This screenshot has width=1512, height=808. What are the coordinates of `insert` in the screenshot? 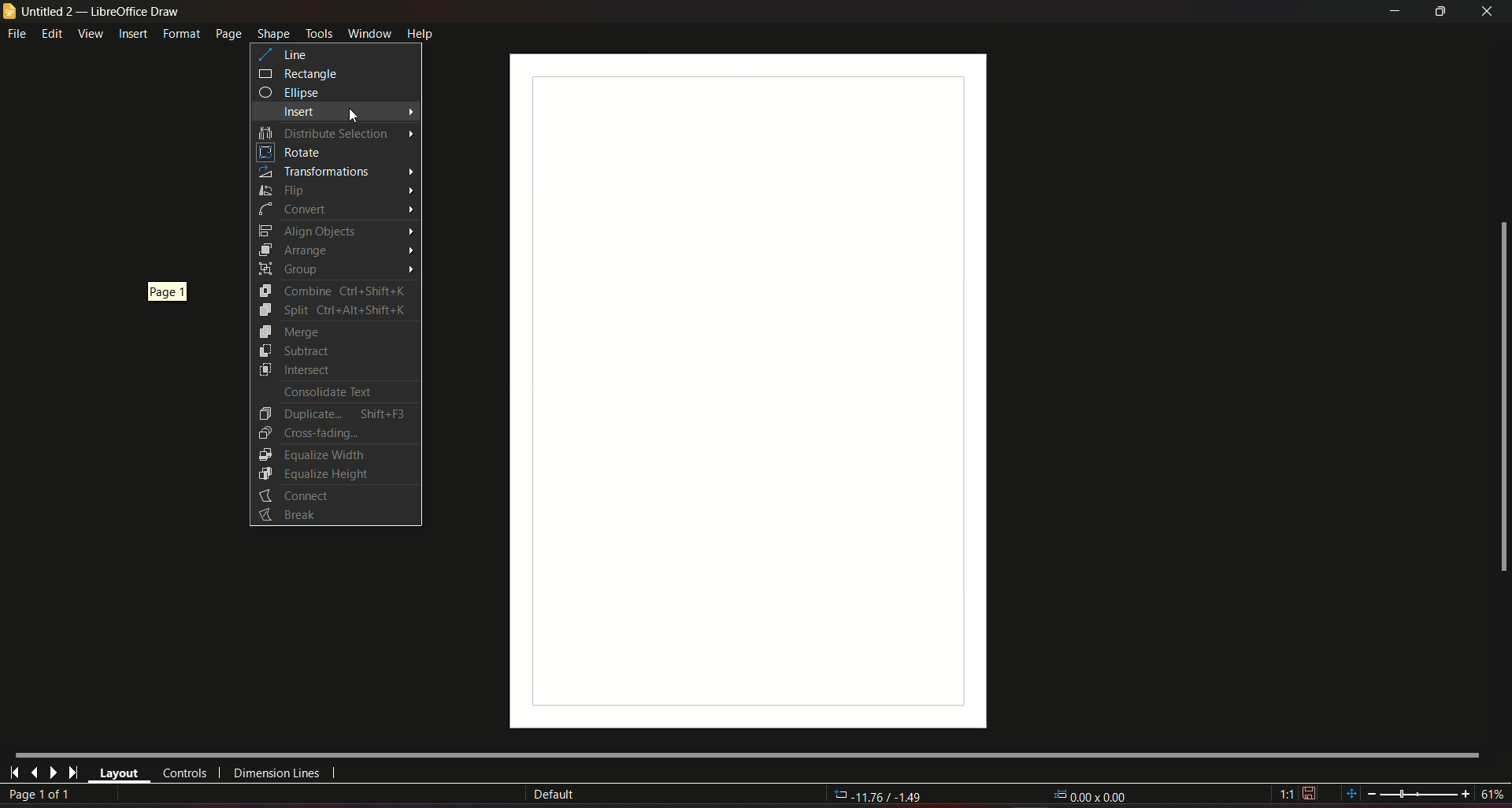 It's located at (132, 35).